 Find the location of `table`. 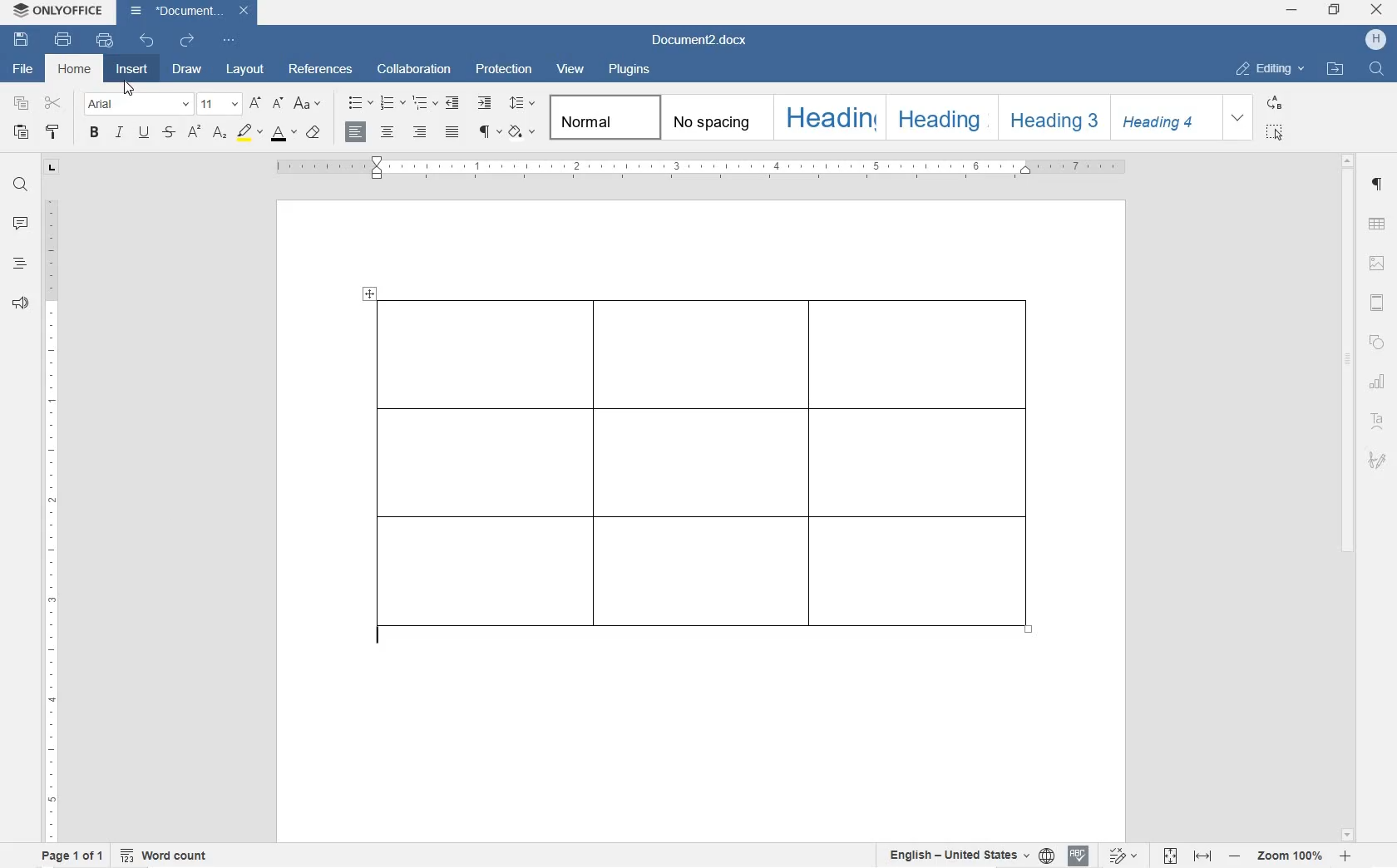

table is located at coordinates (1377, 225).